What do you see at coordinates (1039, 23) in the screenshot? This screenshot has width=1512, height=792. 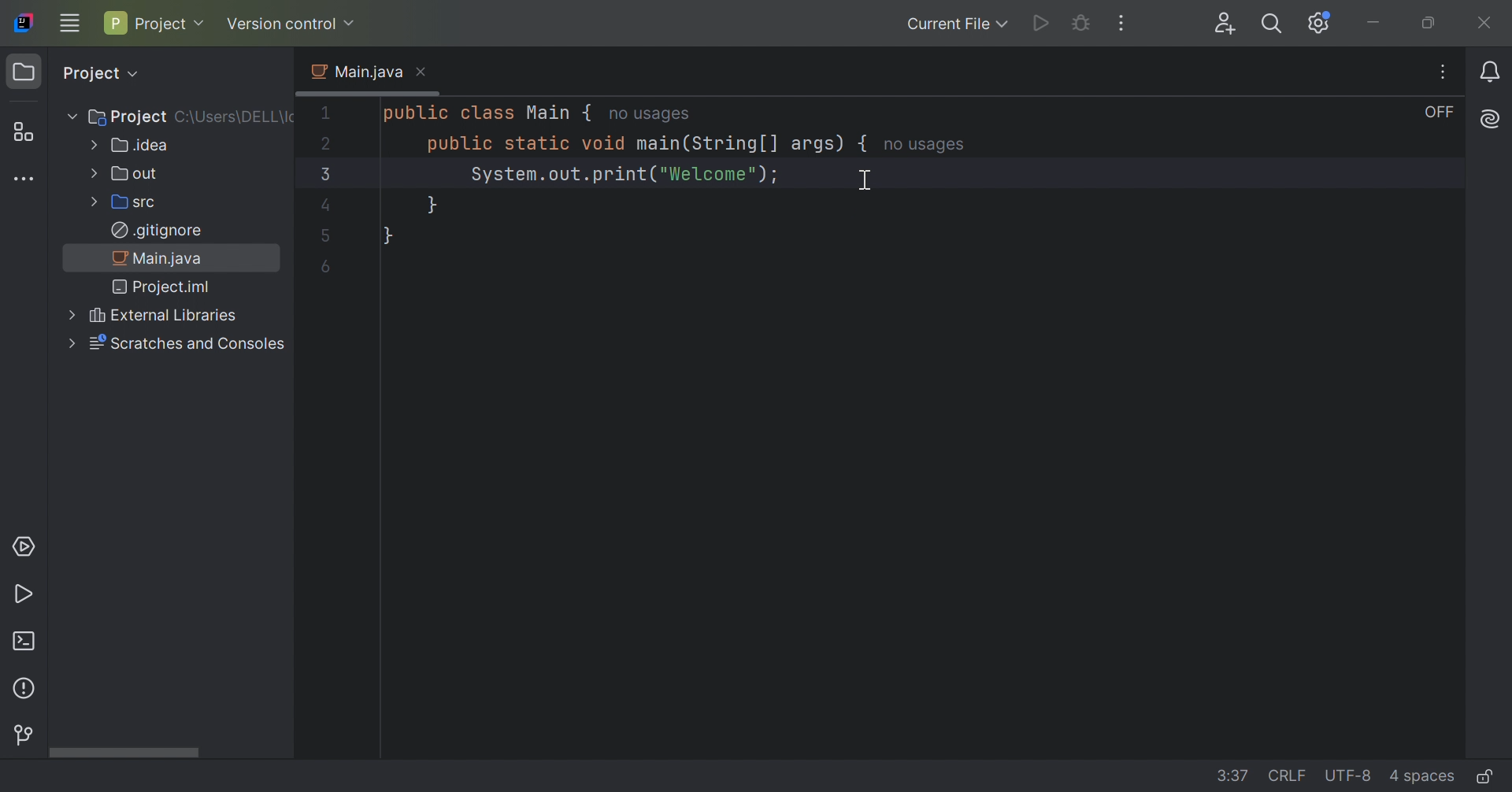 I see `Run` at bounding box center [1039, 23].